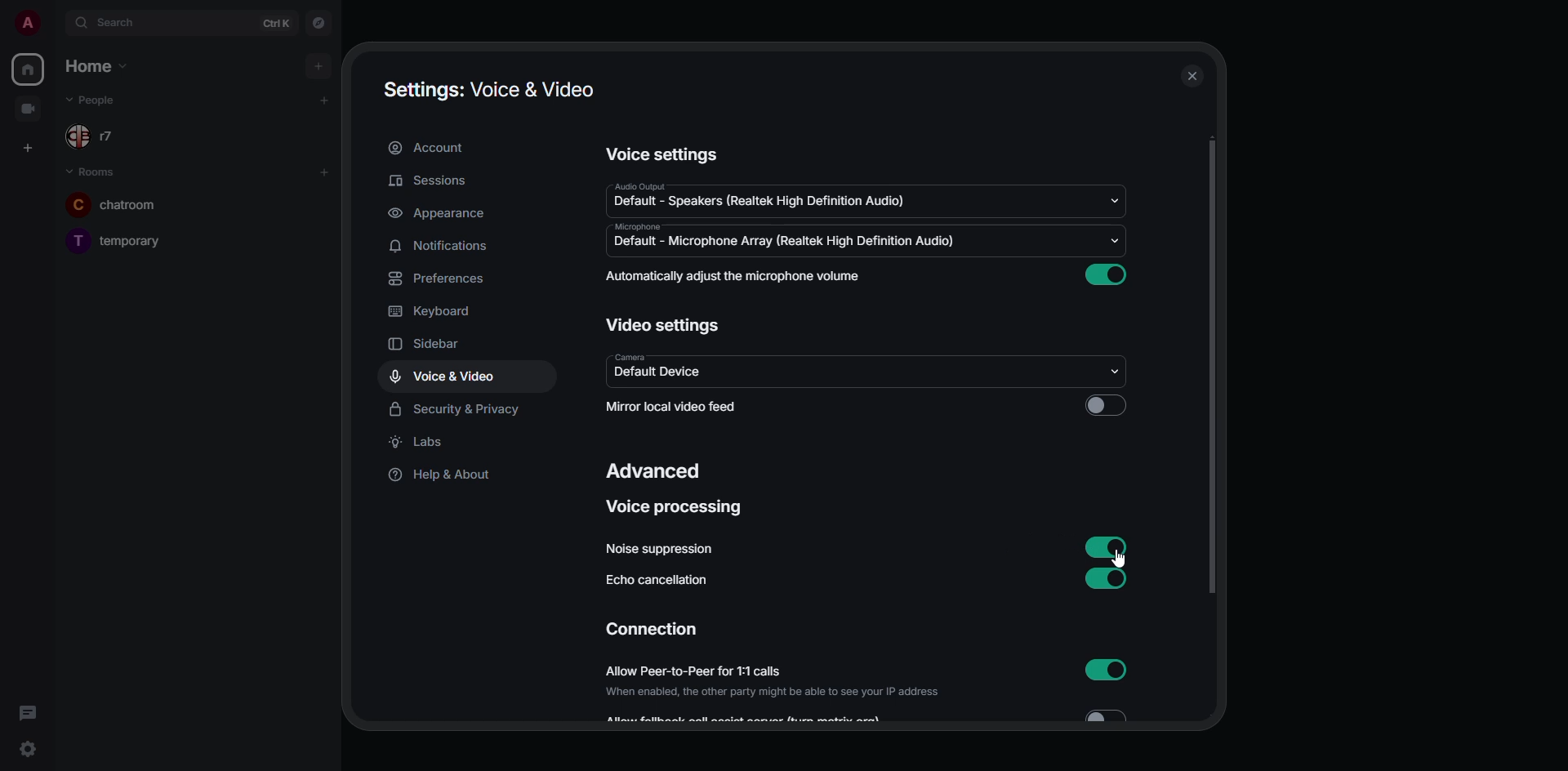  Describe the element at coordinates (1192, 78) in the screenshot. I see `close` at that location.